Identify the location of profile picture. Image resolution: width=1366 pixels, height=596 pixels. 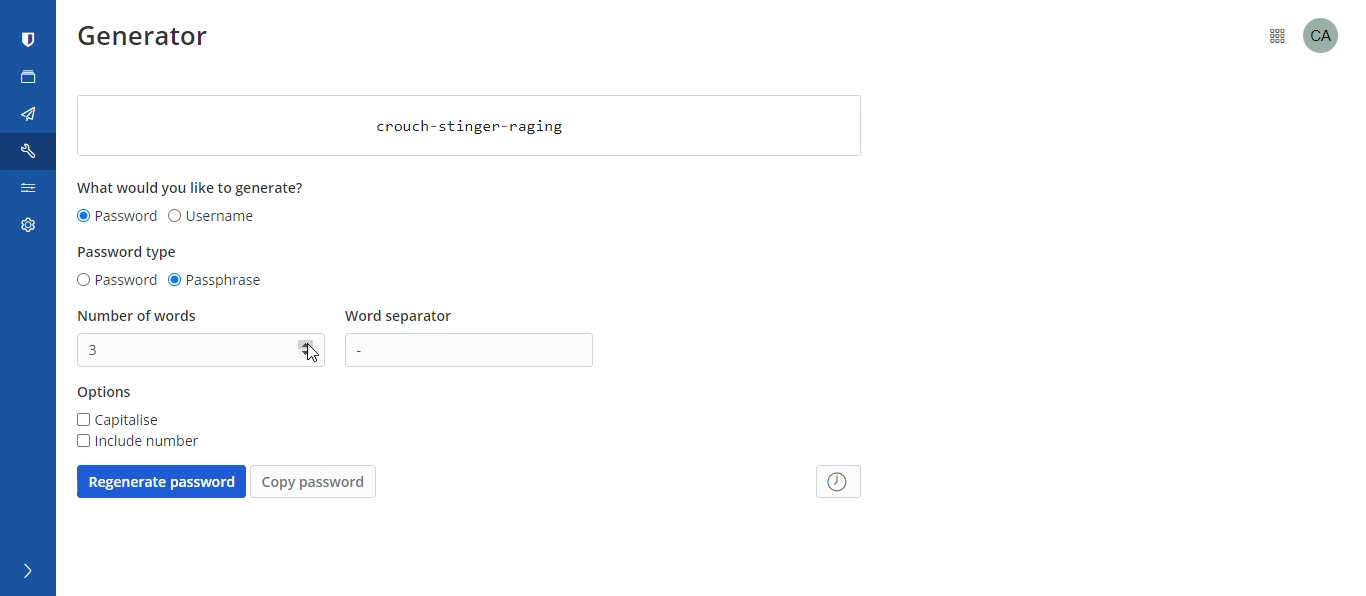
(1328, 34).